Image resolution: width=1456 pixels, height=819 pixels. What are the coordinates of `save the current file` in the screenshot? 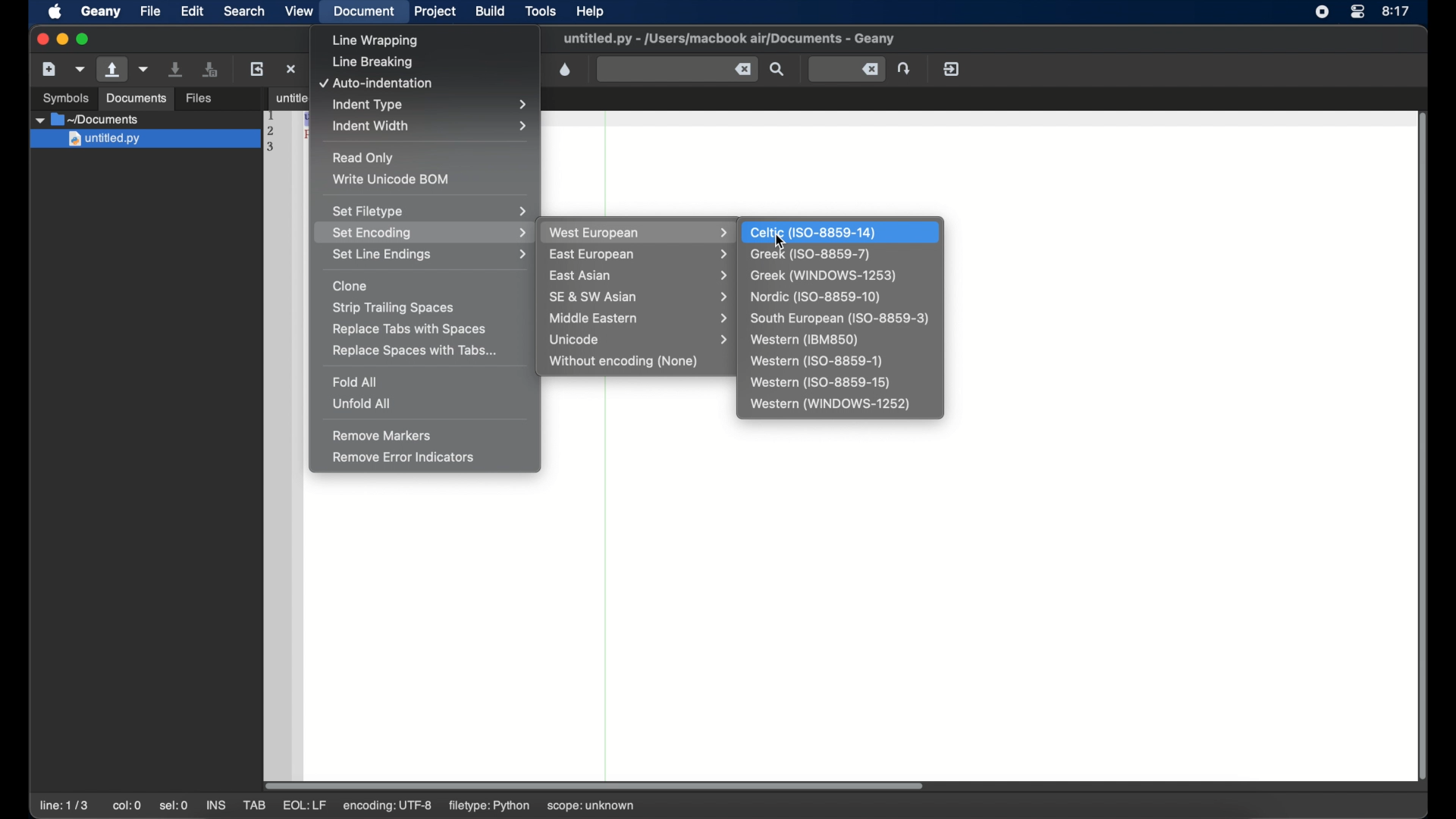 It's located at (176, 69).